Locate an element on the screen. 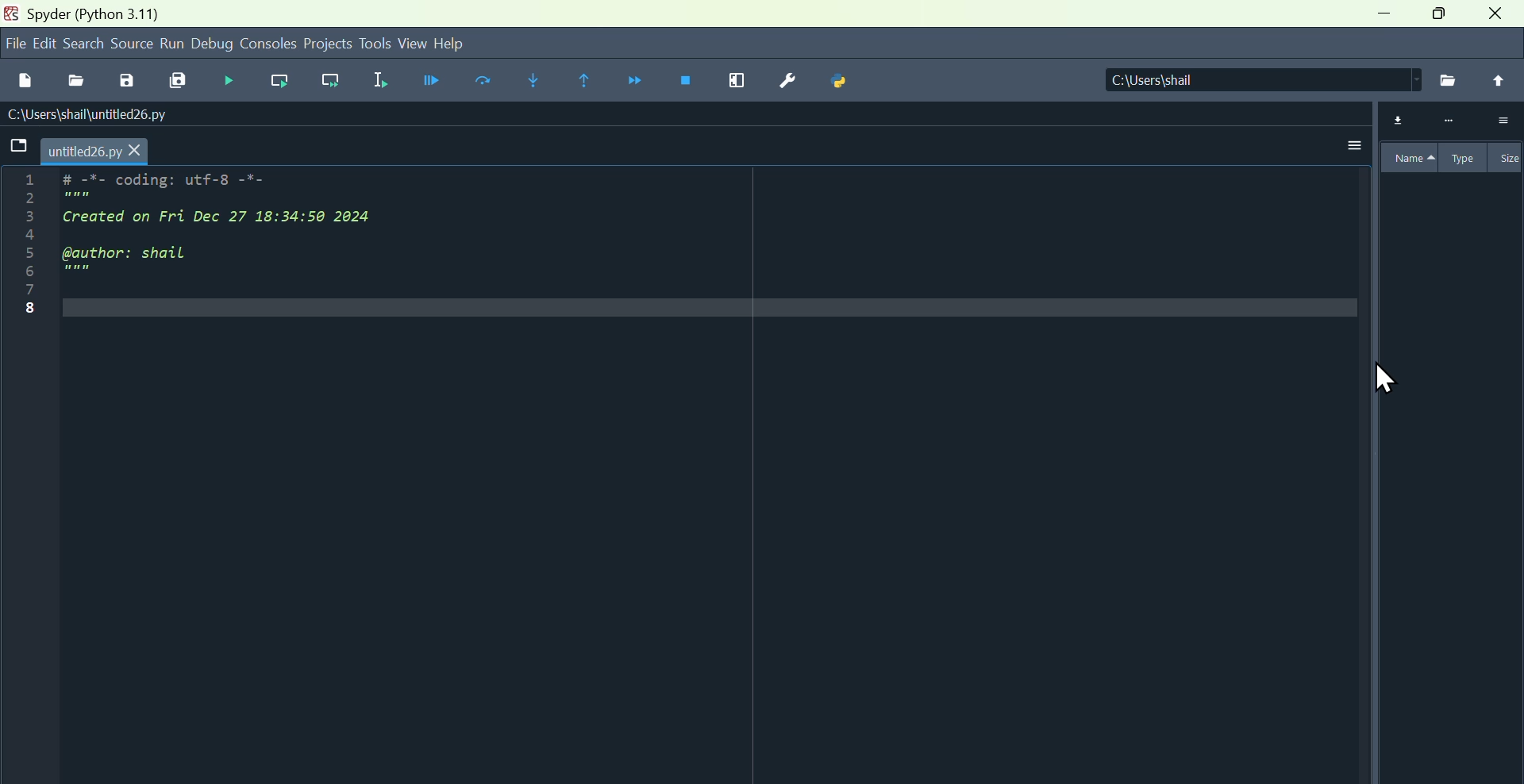 This screenshot has height=784, width=1524. Stop debugging is located at coordinates (689, 83).